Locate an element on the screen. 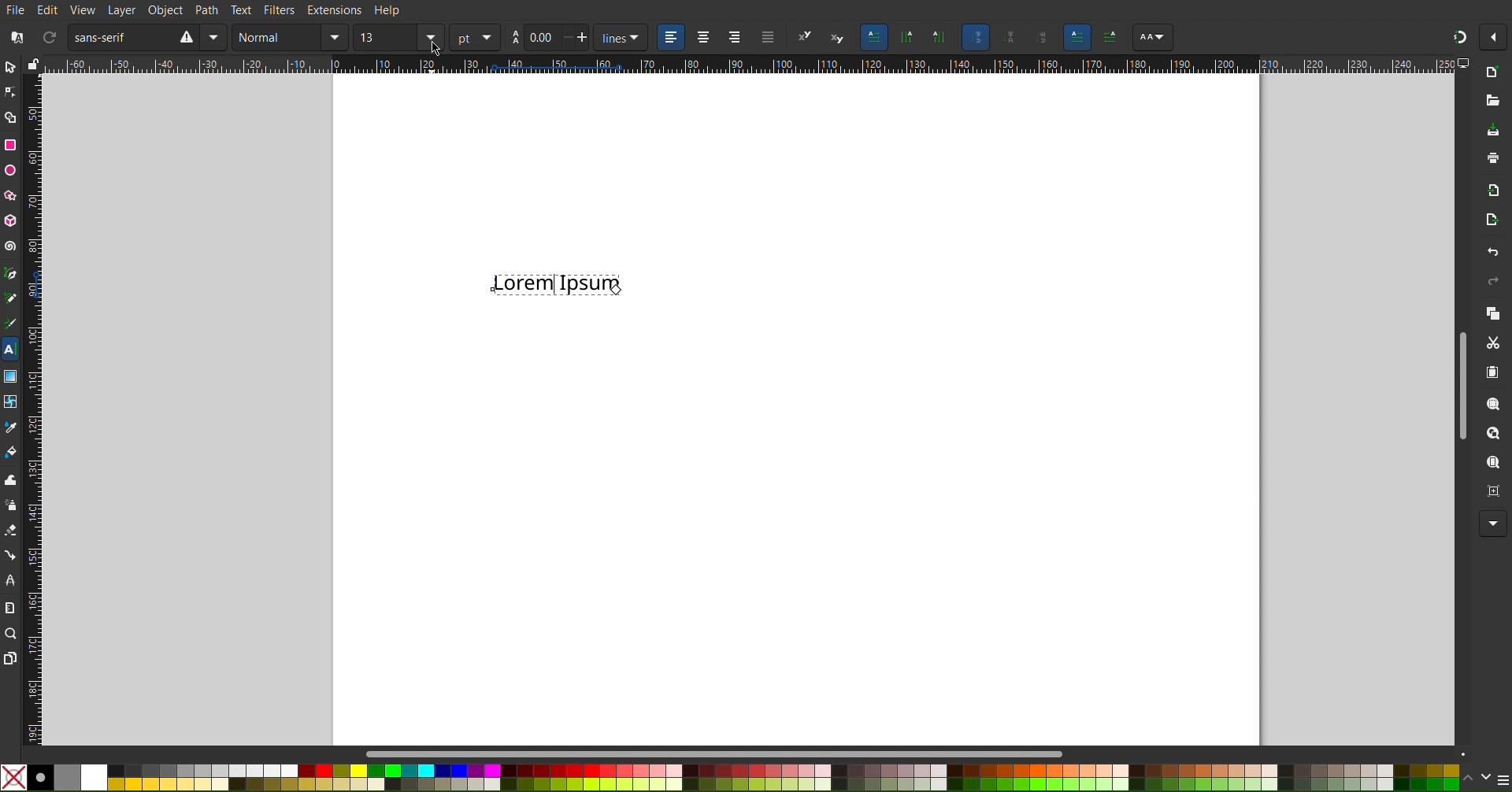 This screenshot has height=792, width=1512. Shape Builder Tool is located at coordinates (11, 117).